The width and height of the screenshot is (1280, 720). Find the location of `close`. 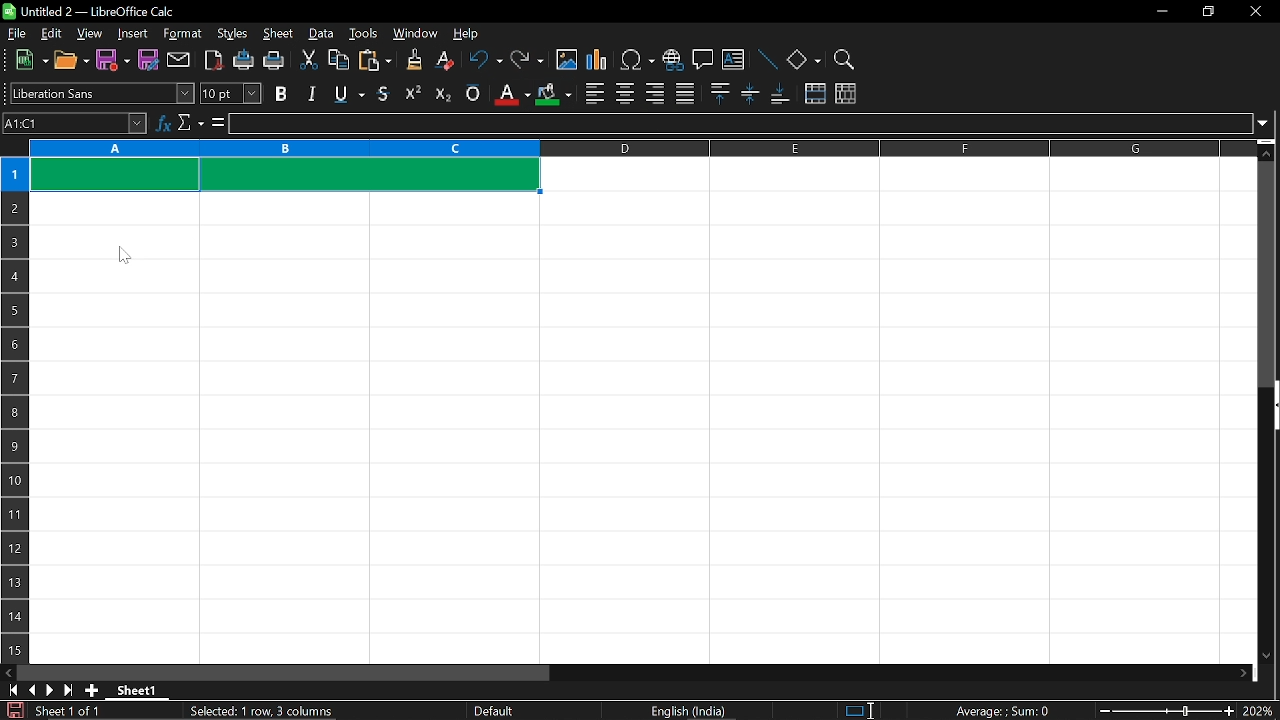

close is located at coordinates (1257, 12).